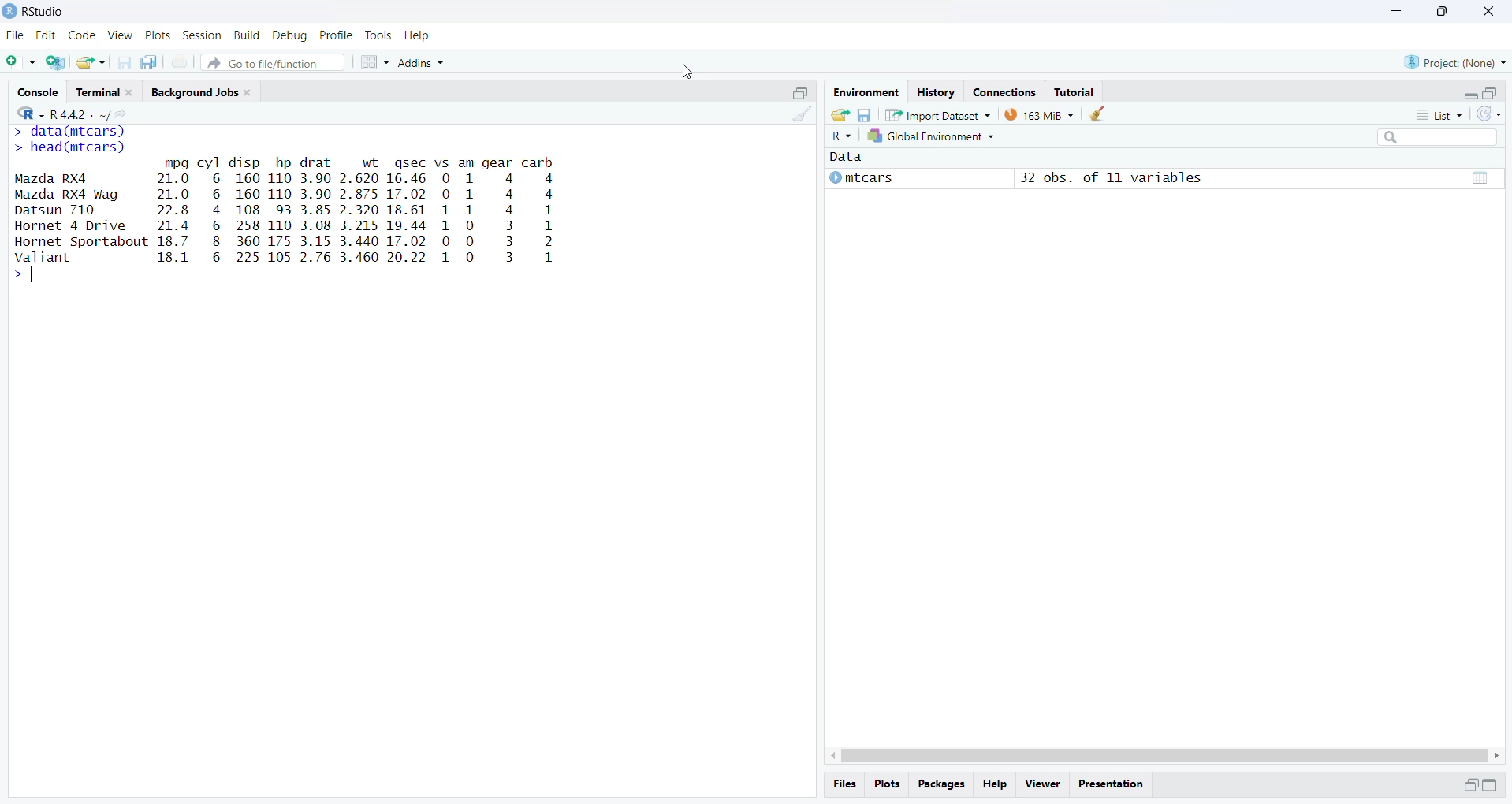 The height and width of the screenshot is (804, 1512). What do you see at coordinates (1490, 114) in the screenshot?
I see `sync` at bounding box center [1490, 114].